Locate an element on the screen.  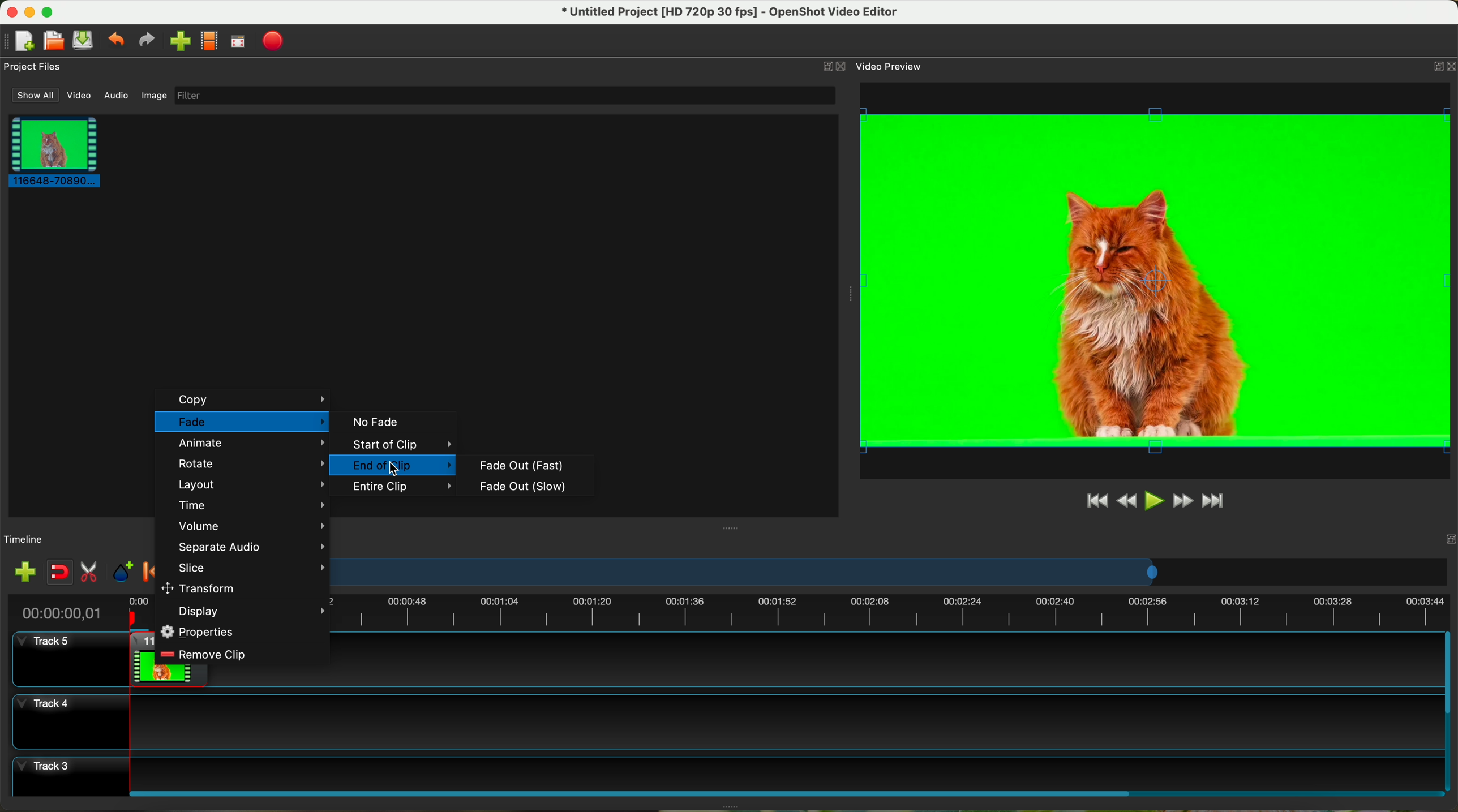
close is located at coordinates (833, 66).